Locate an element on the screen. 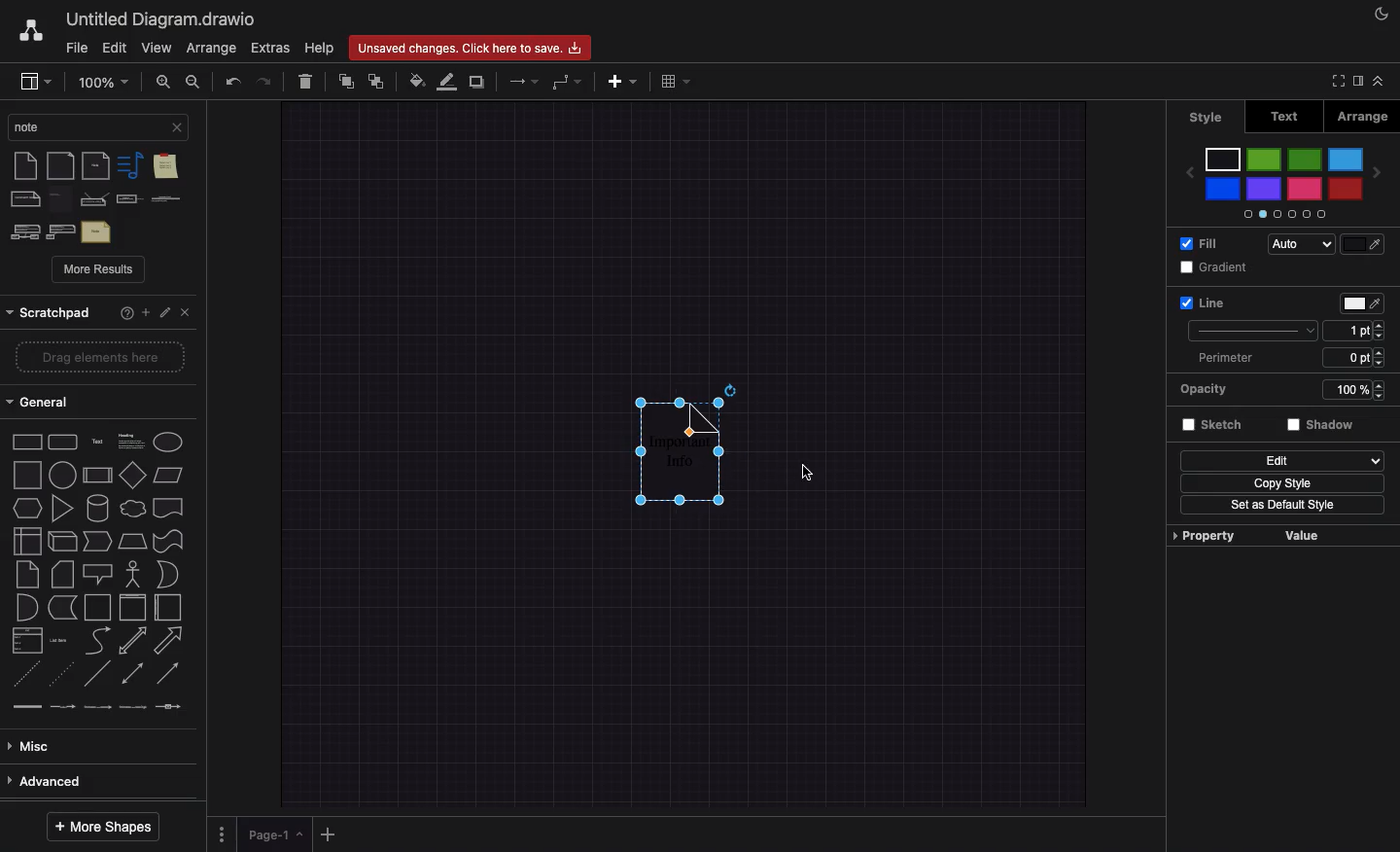  sticky note is located at coordinates (164, 168).